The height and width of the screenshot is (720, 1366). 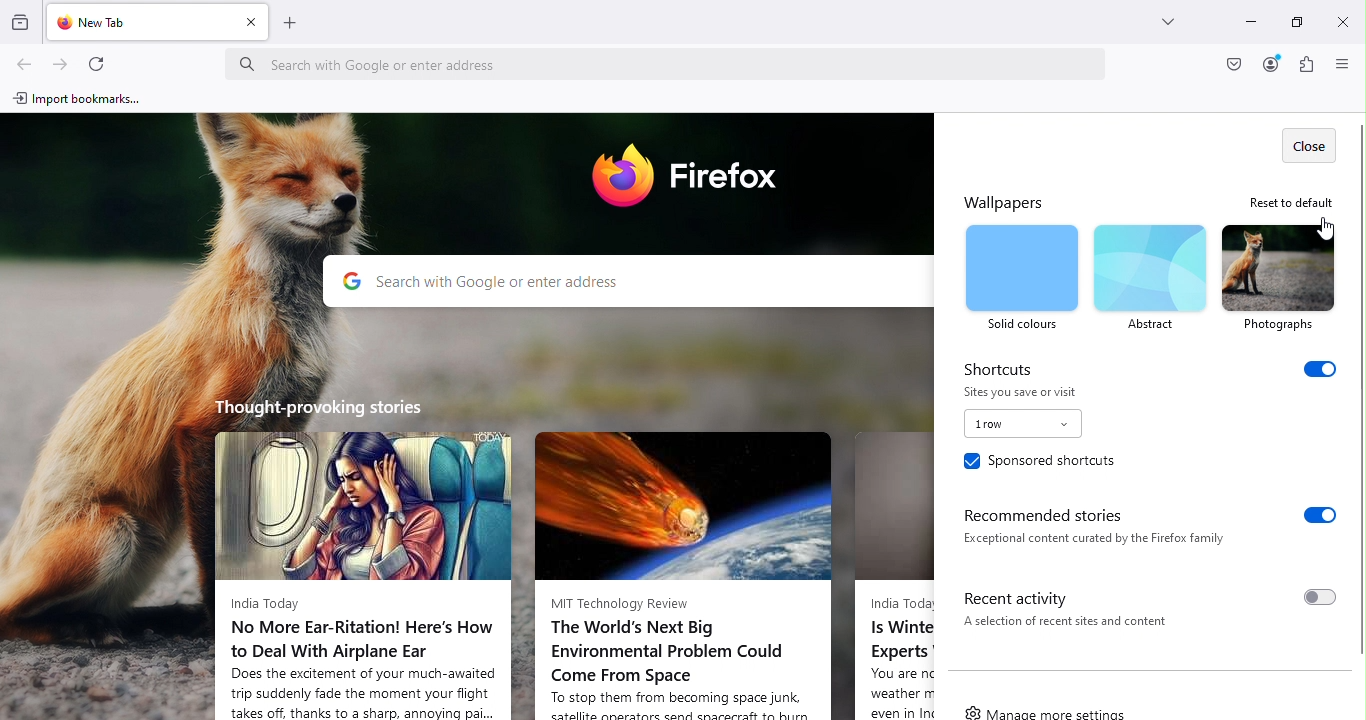 I want to click on Shortcuts, so click(x=1151, y=367).